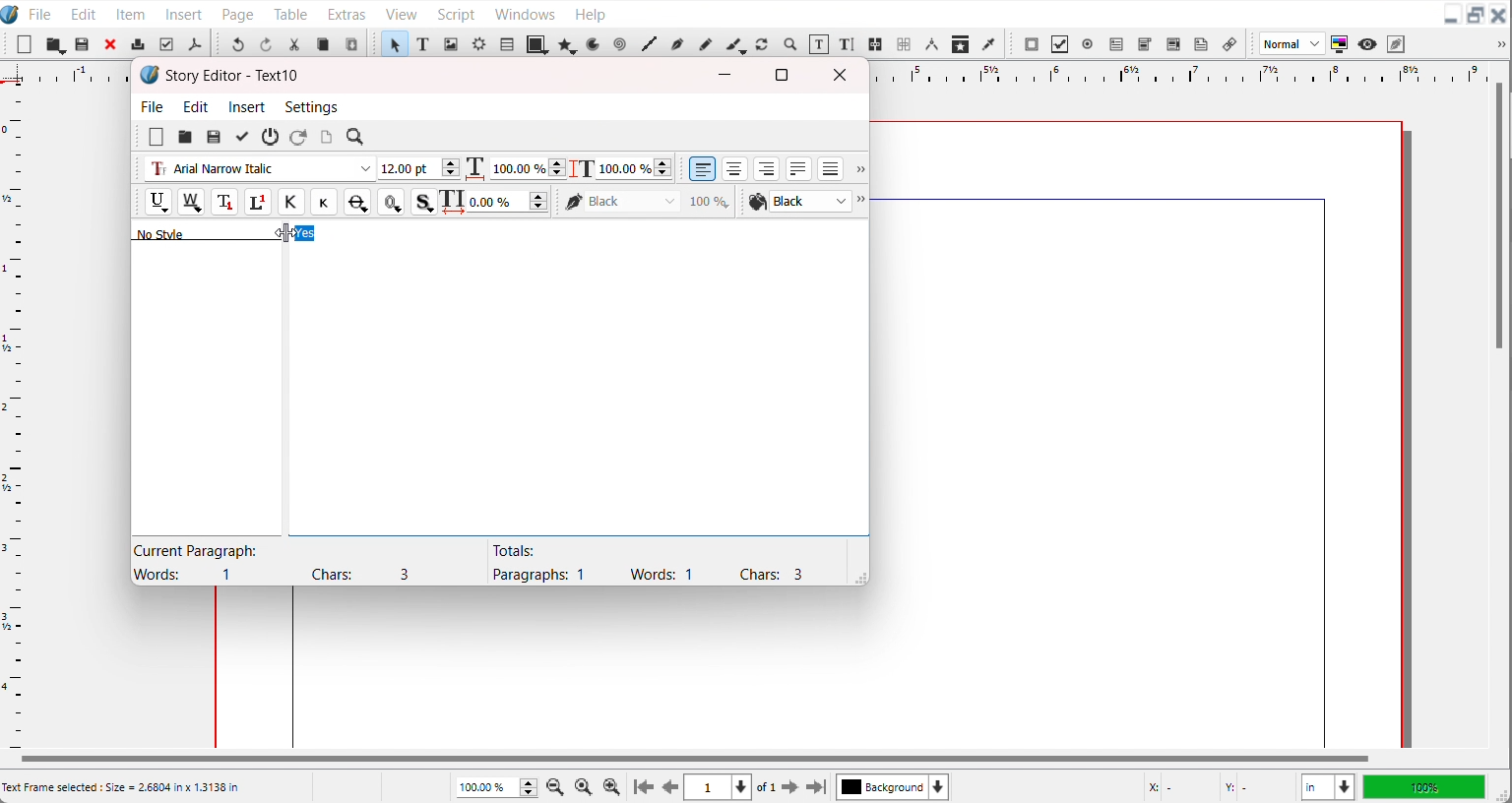  I want to click on Line, so click(649, 44).